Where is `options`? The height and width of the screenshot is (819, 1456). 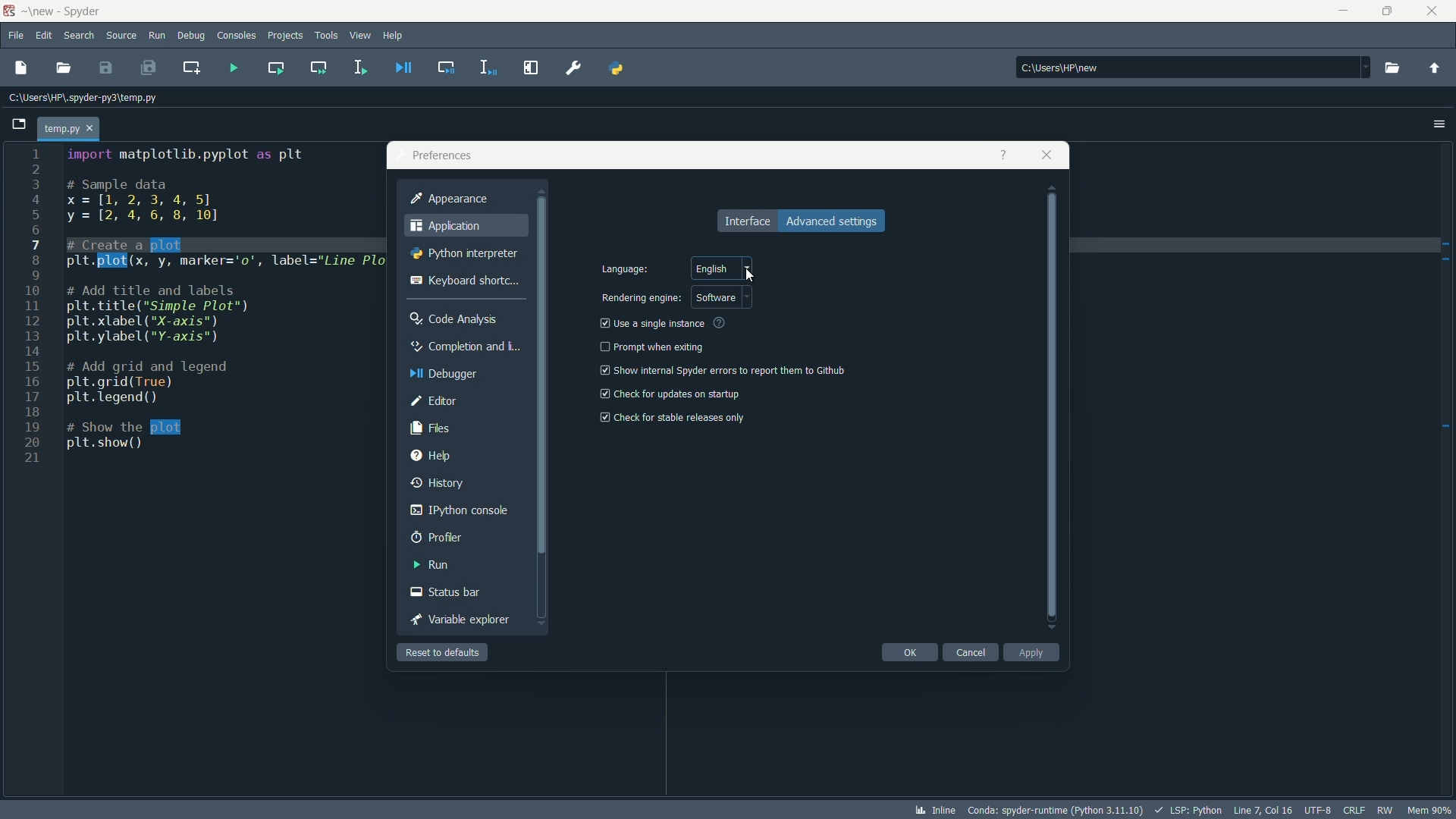 options is located at coordinates (1436, 124).